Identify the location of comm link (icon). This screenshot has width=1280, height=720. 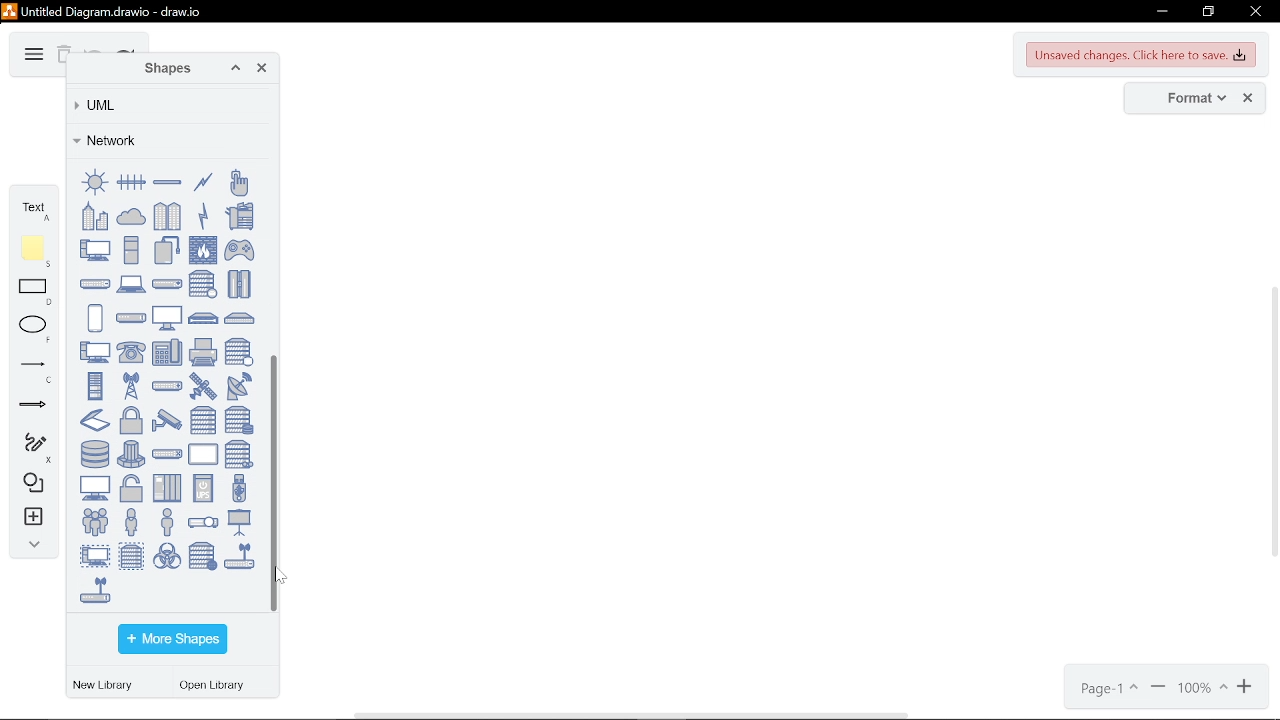
(203, 215).